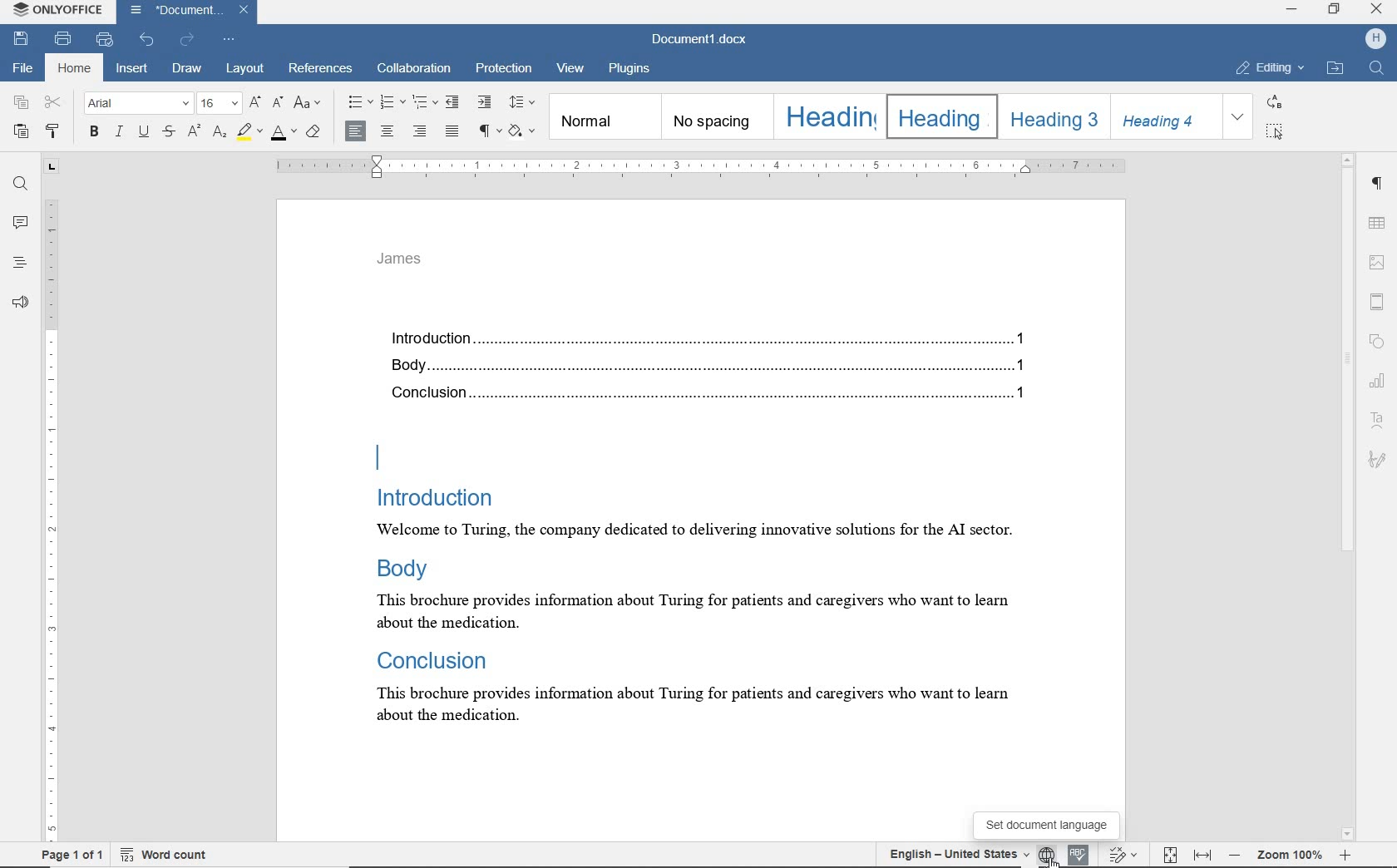  What do you see at coordinates (1204, 856) in the screenshot?
I see `fit to width` at bounding box center [1204, 856].